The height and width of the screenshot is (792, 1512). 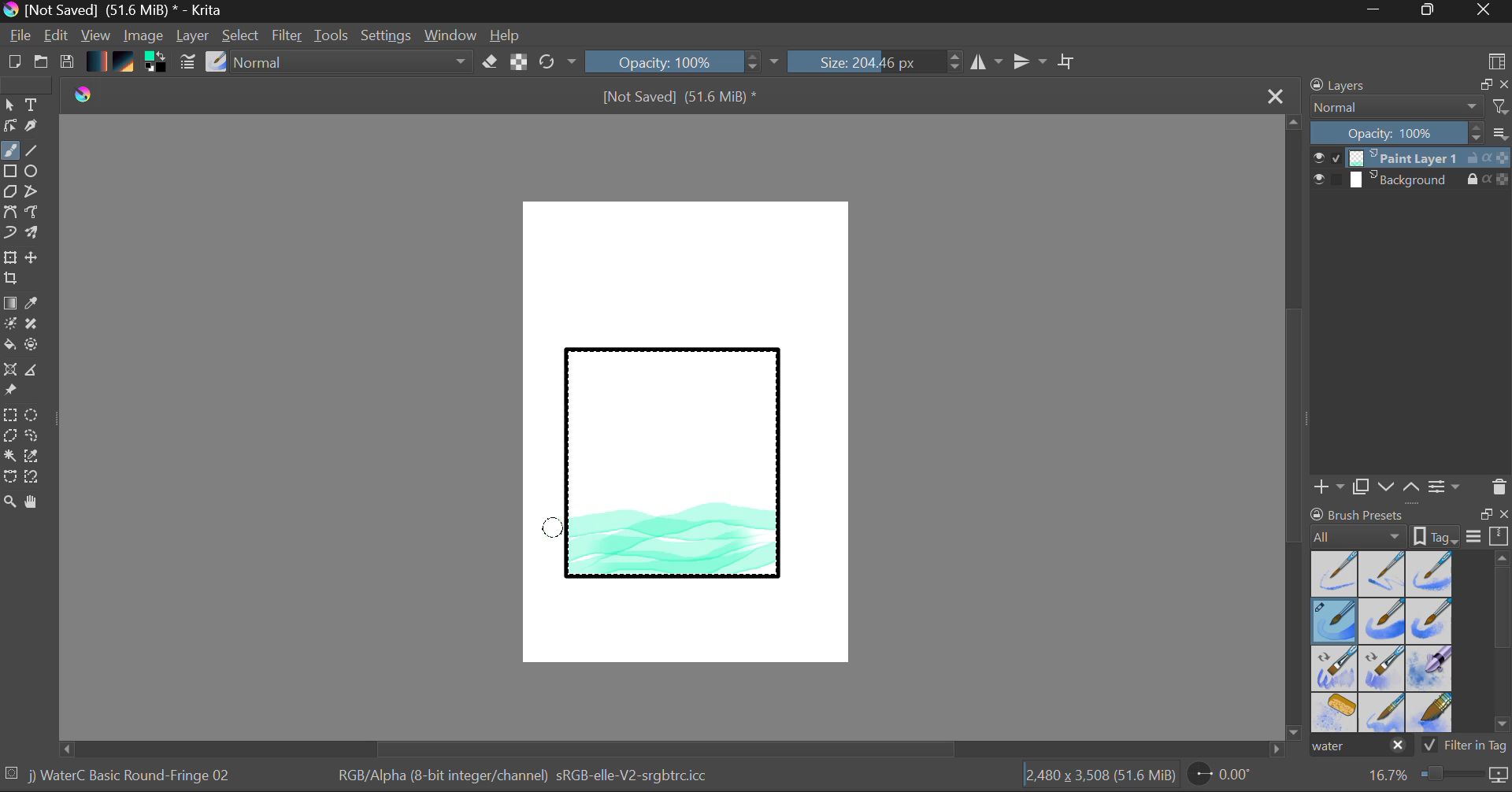 What do you see at coordinates (9, 152) in the screenshot?
I see `Paintbrush` at bounding box center [9, 152].